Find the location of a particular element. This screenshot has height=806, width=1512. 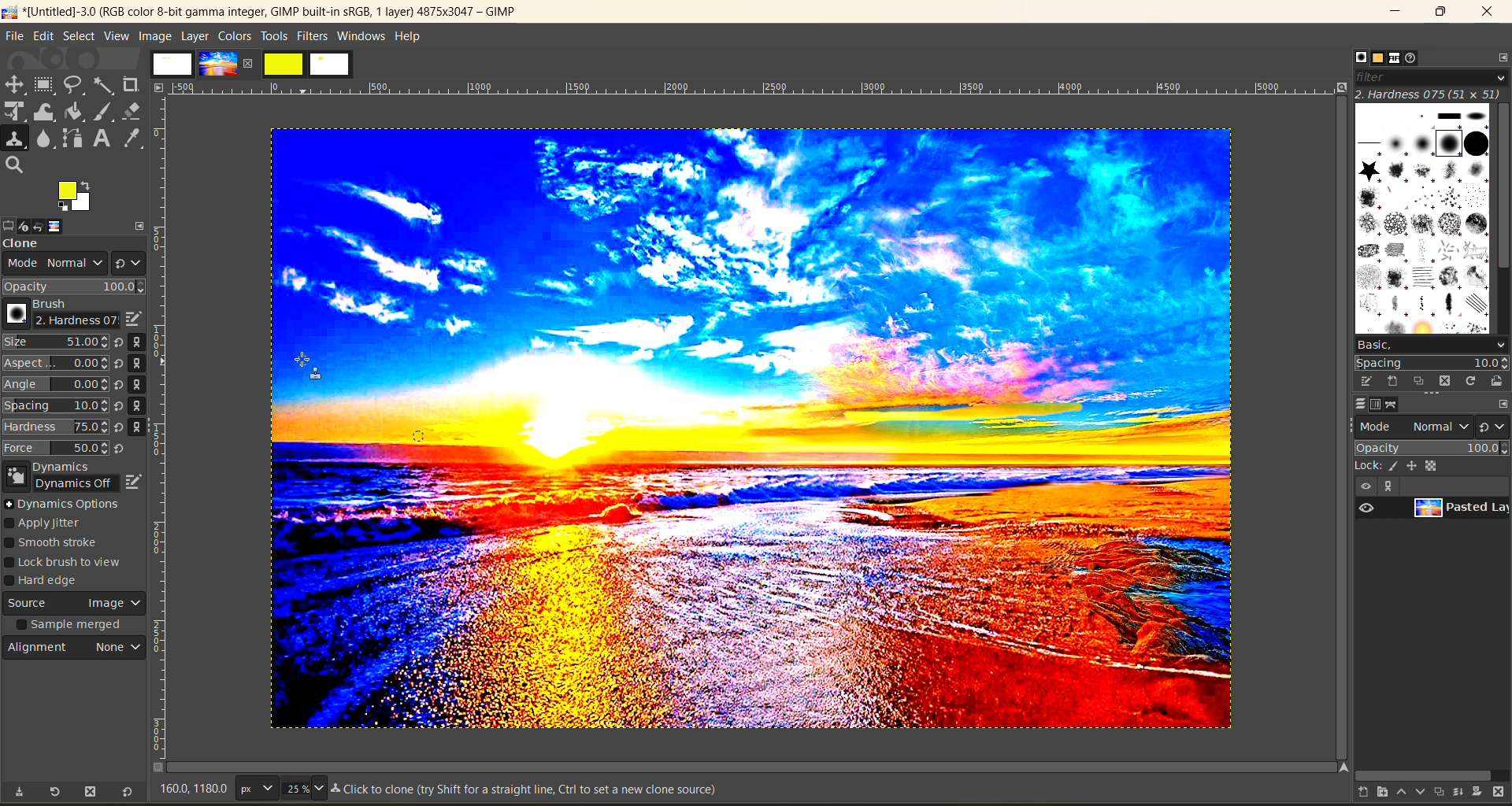

expand is located at coordinates (140, 224).